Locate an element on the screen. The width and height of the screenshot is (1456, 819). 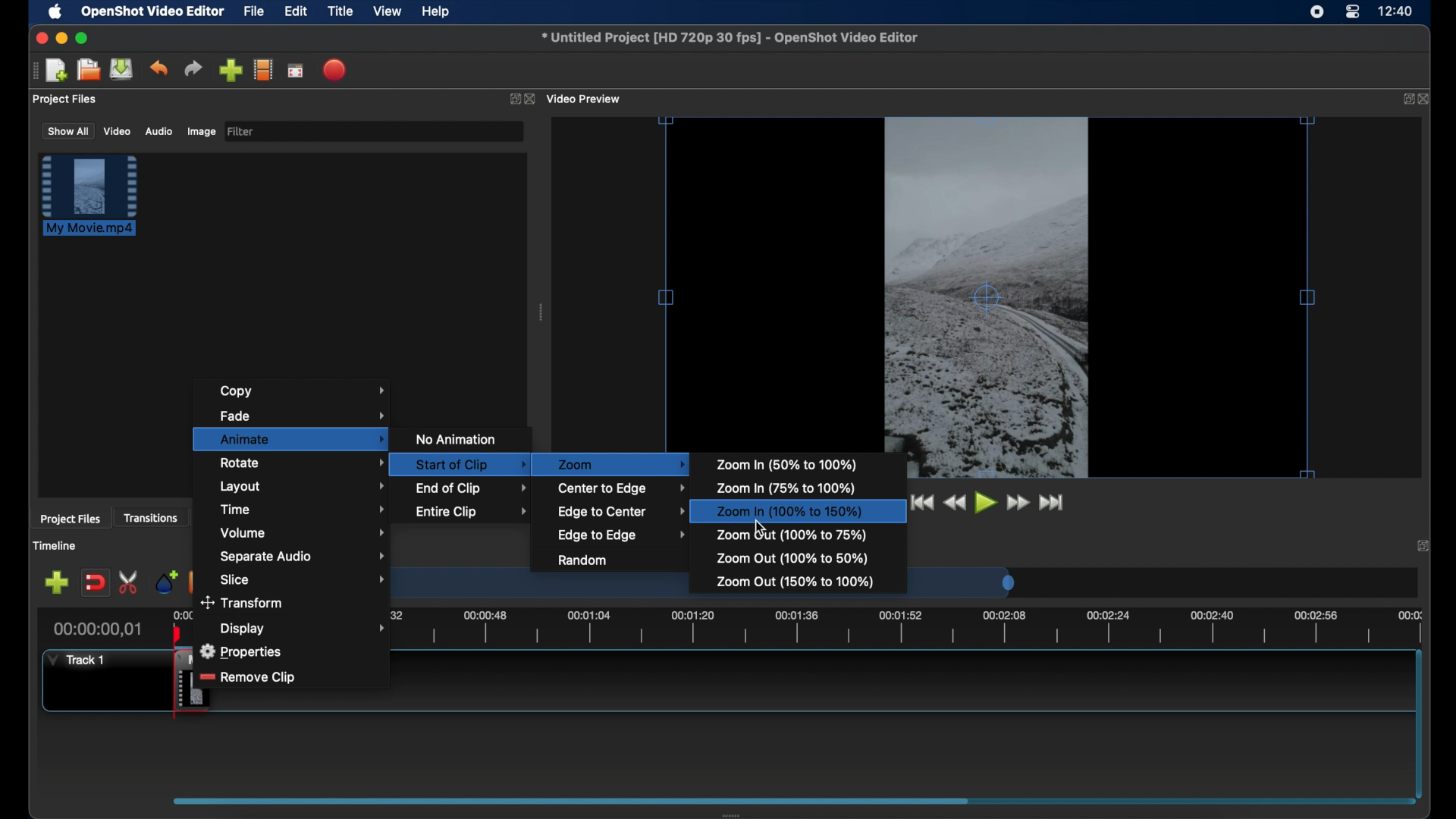
file highlighted is located at coordinates (89, 195).